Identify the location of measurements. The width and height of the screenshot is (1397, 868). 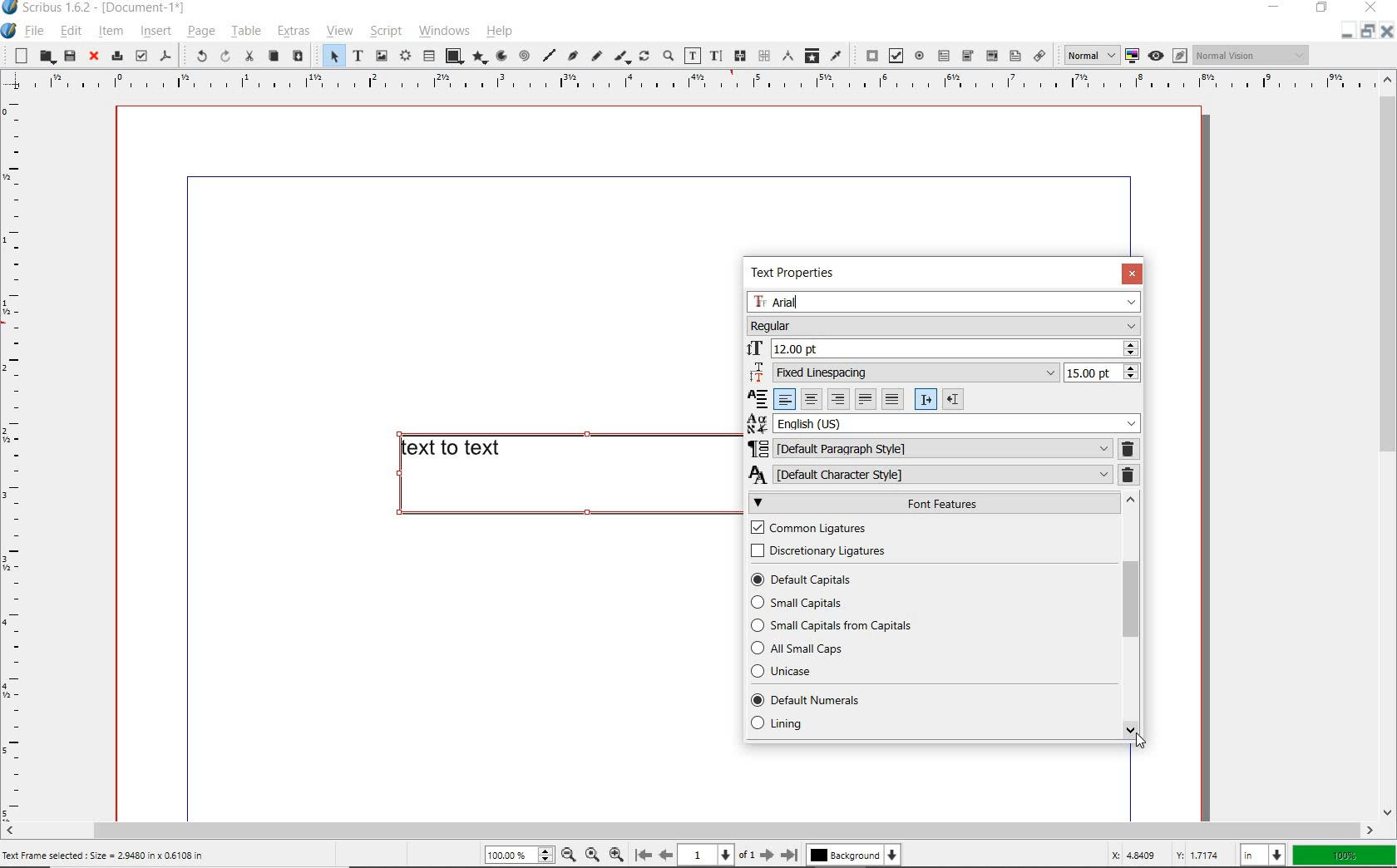
(787, 57).